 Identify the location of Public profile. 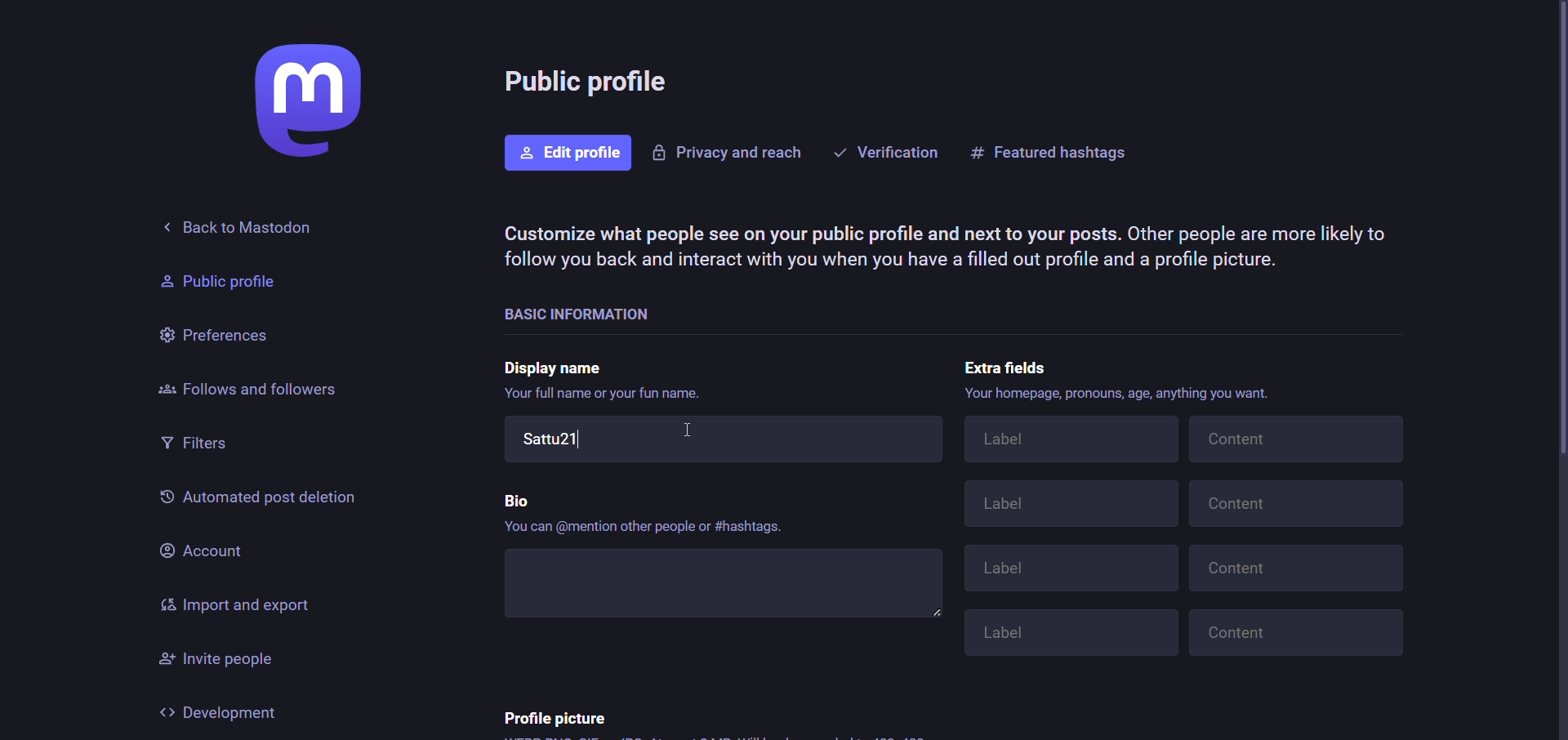
(209, 282).